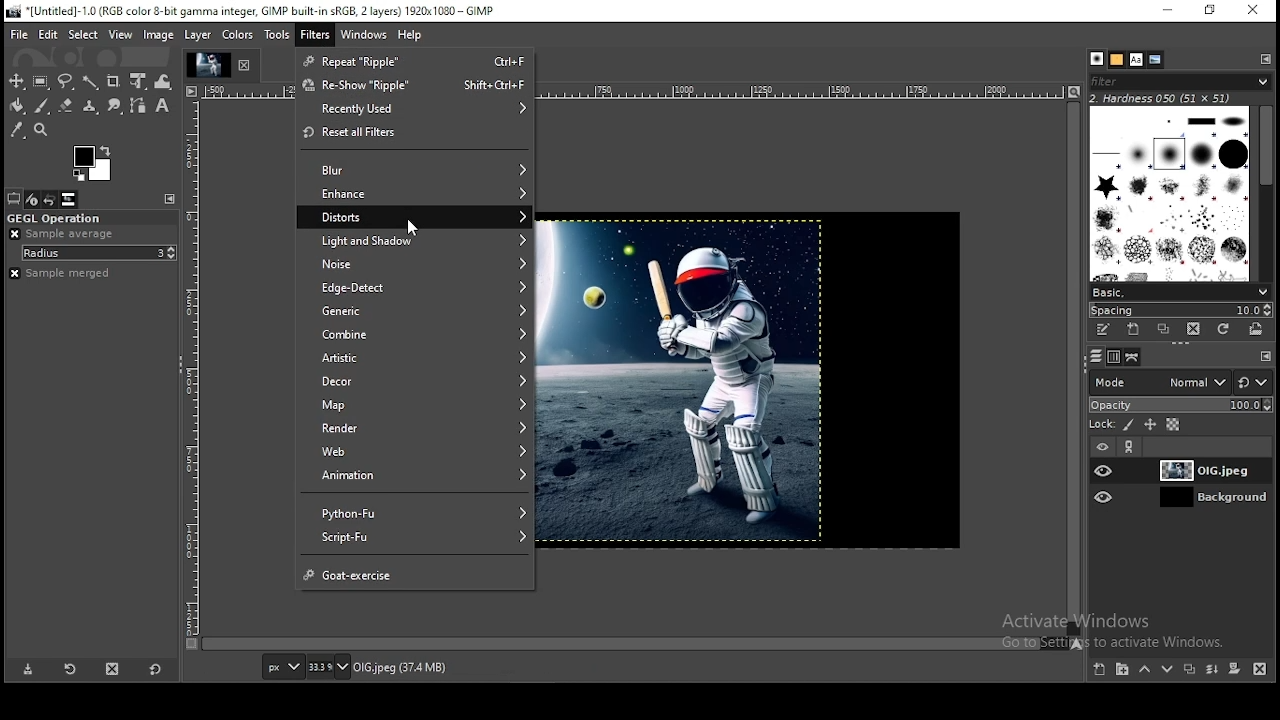 The image size is (1280, 720). What do you see at coordinates (1101, 669) in the screenshot?
I see `create a new layer` at bounding box center [1101, 669].